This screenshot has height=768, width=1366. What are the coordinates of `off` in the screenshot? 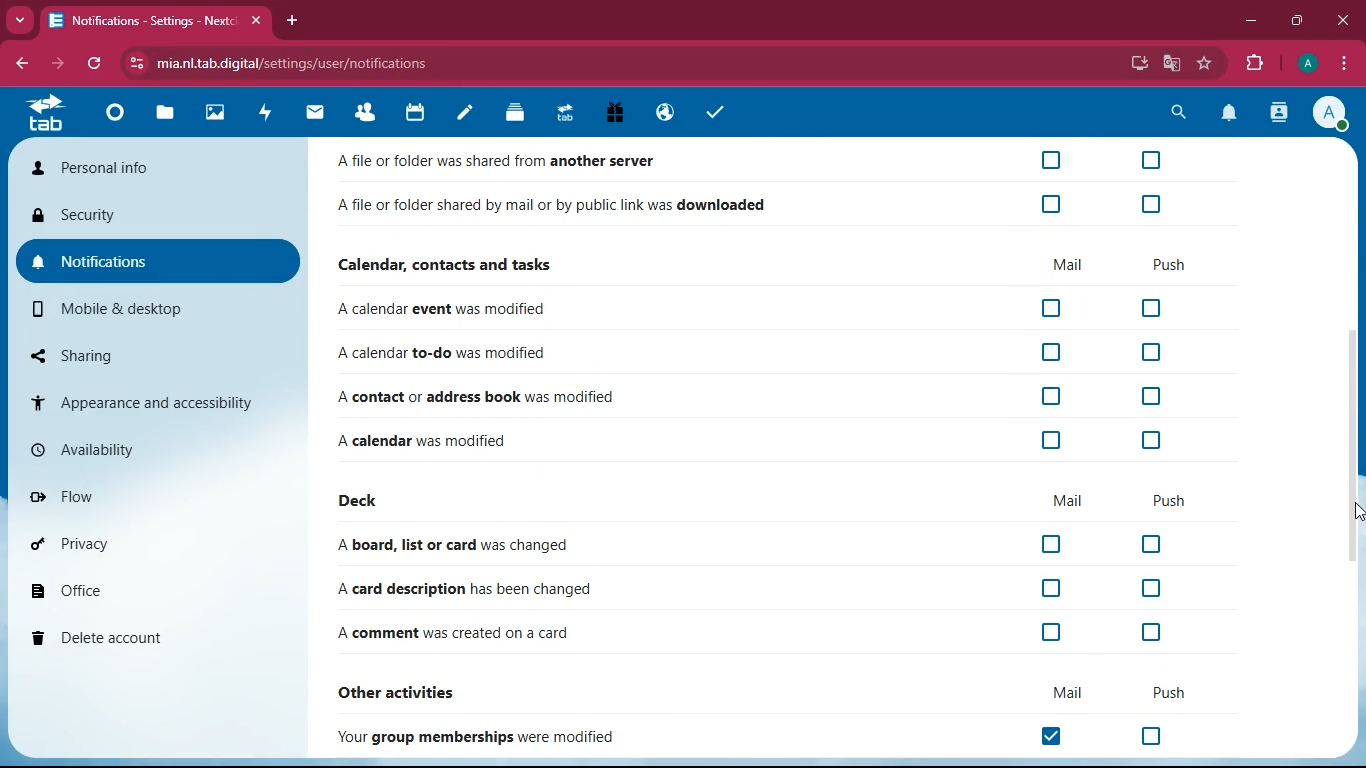 It's located at (1146, 544).